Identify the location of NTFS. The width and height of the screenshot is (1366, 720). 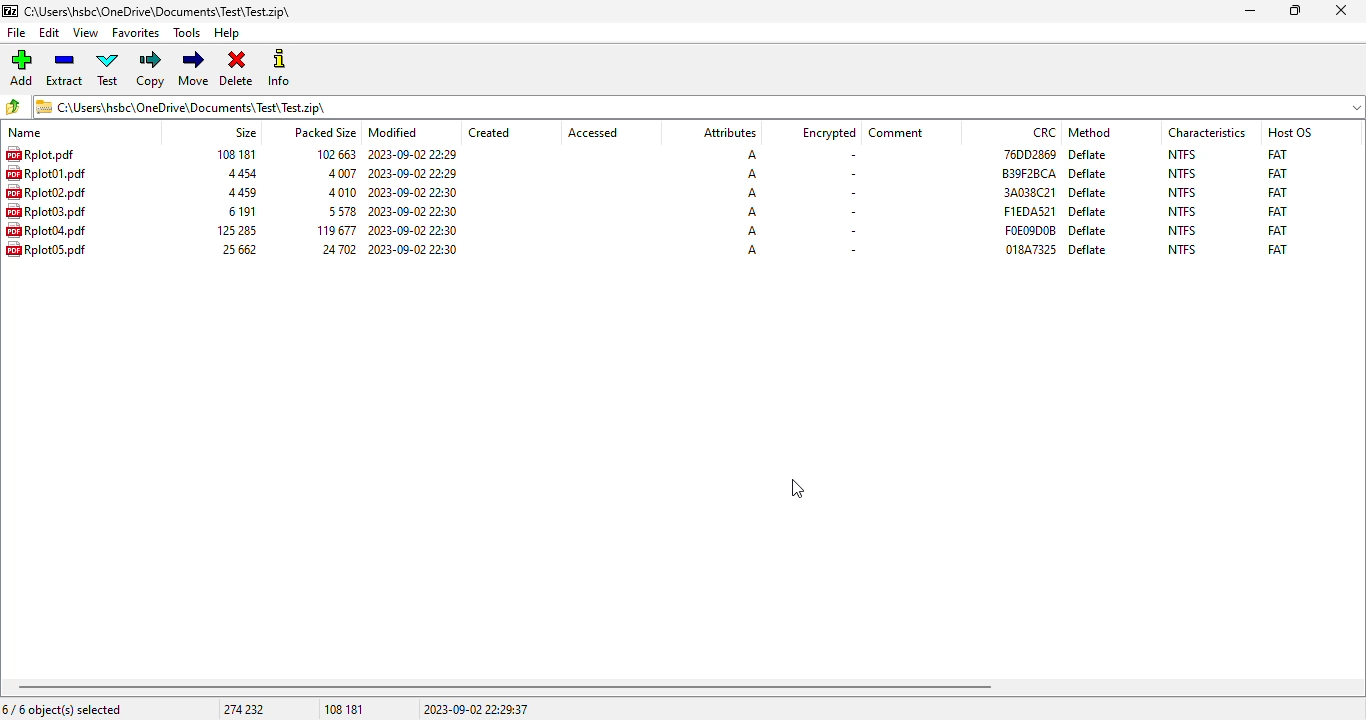
(1182, 192).